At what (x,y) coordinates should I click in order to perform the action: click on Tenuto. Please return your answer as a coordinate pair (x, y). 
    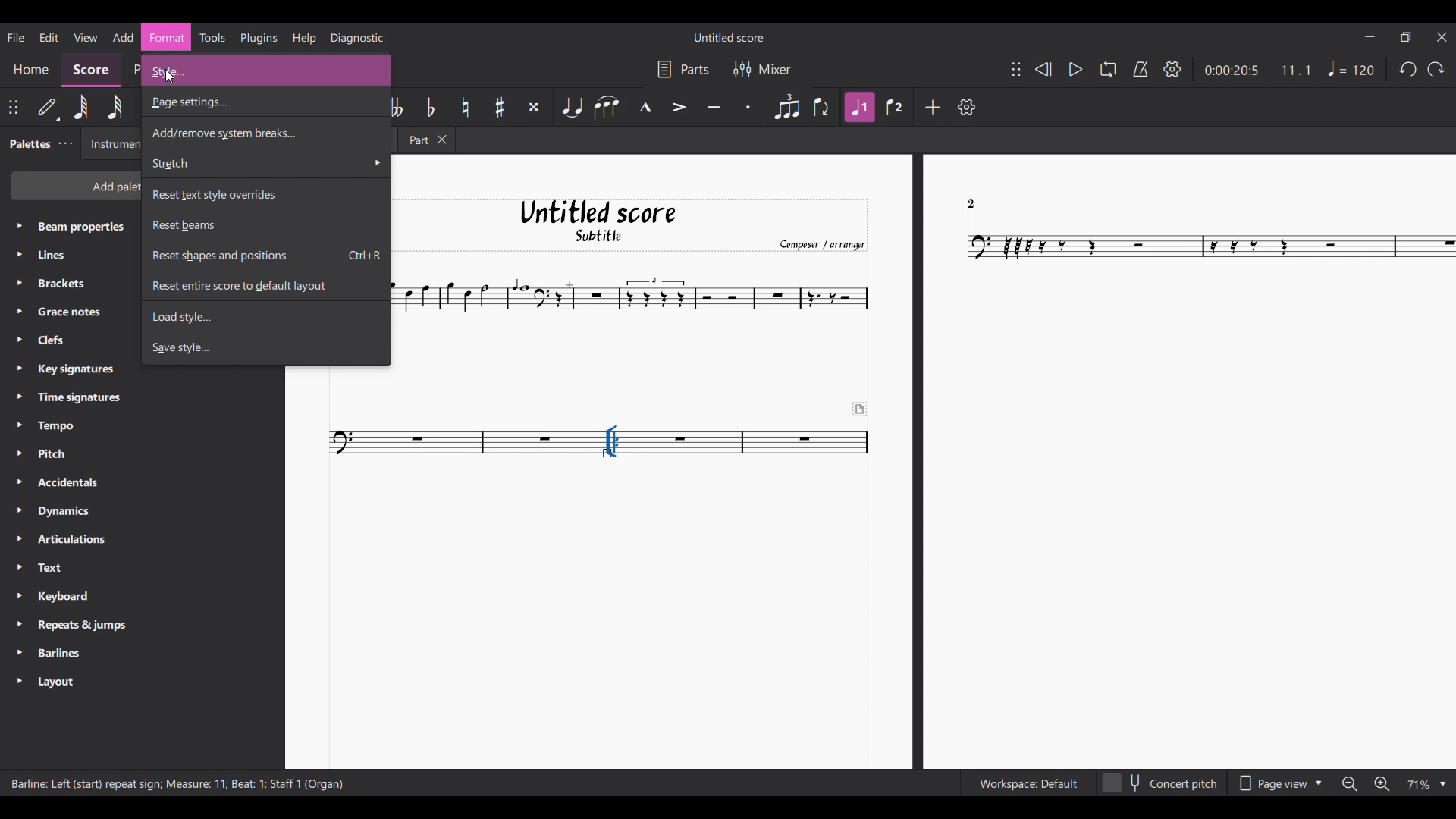
    Looking at the image, I should click on (714, 105).